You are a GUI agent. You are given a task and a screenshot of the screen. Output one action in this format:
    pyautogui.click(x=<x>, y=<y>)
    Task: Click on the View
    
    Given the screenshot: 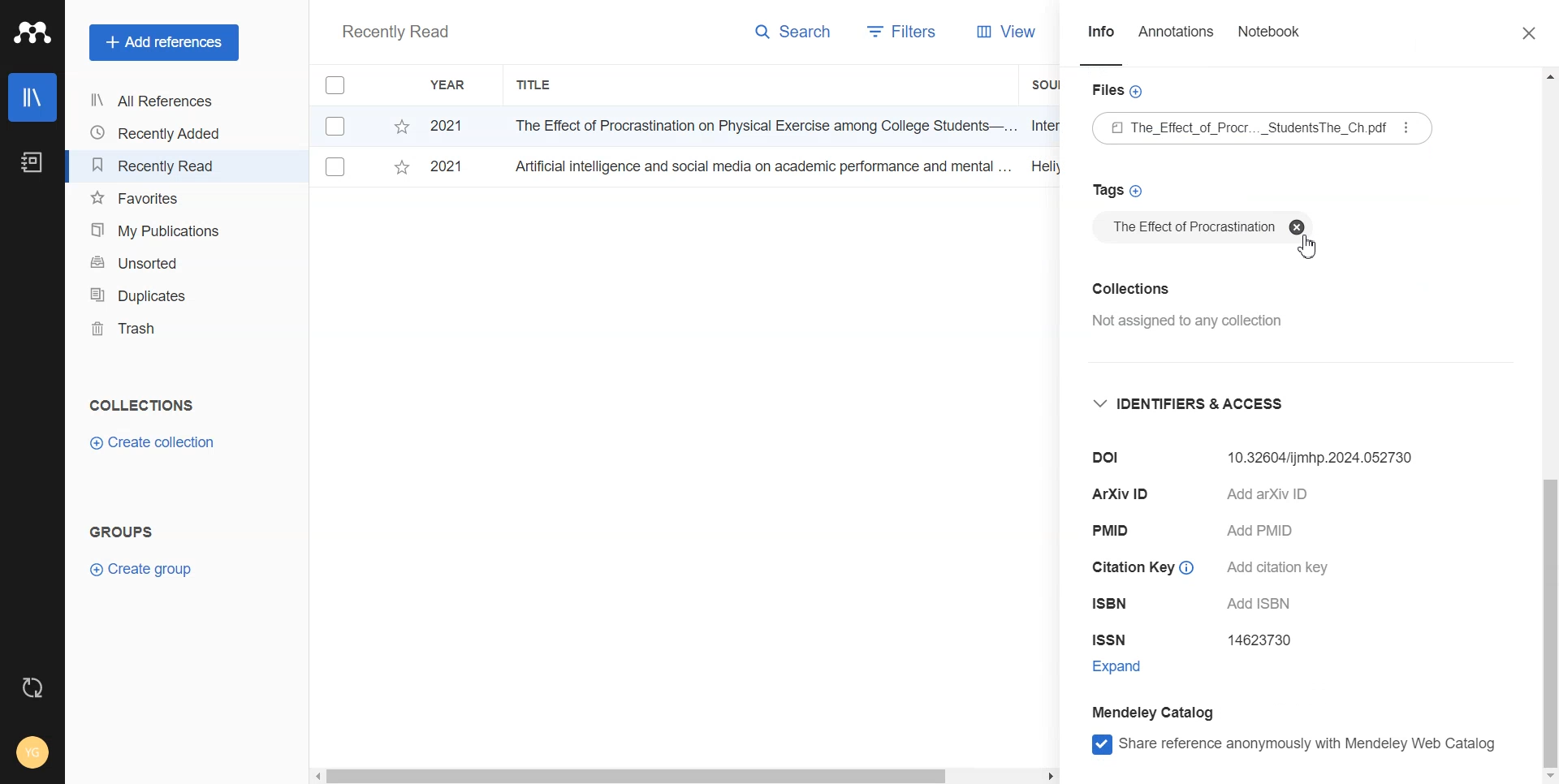 What is the action you would take?
    pyautogui.click(x=1004, y=32)
    